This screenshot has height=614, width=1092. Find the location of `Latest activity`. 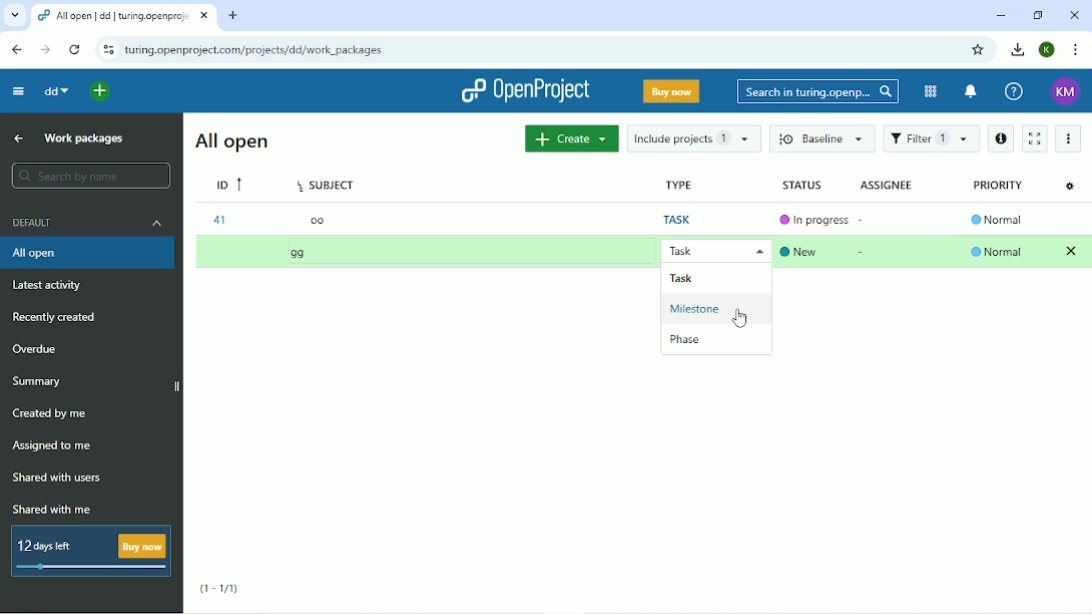

Latest activity is located at coordinates (53, 286).